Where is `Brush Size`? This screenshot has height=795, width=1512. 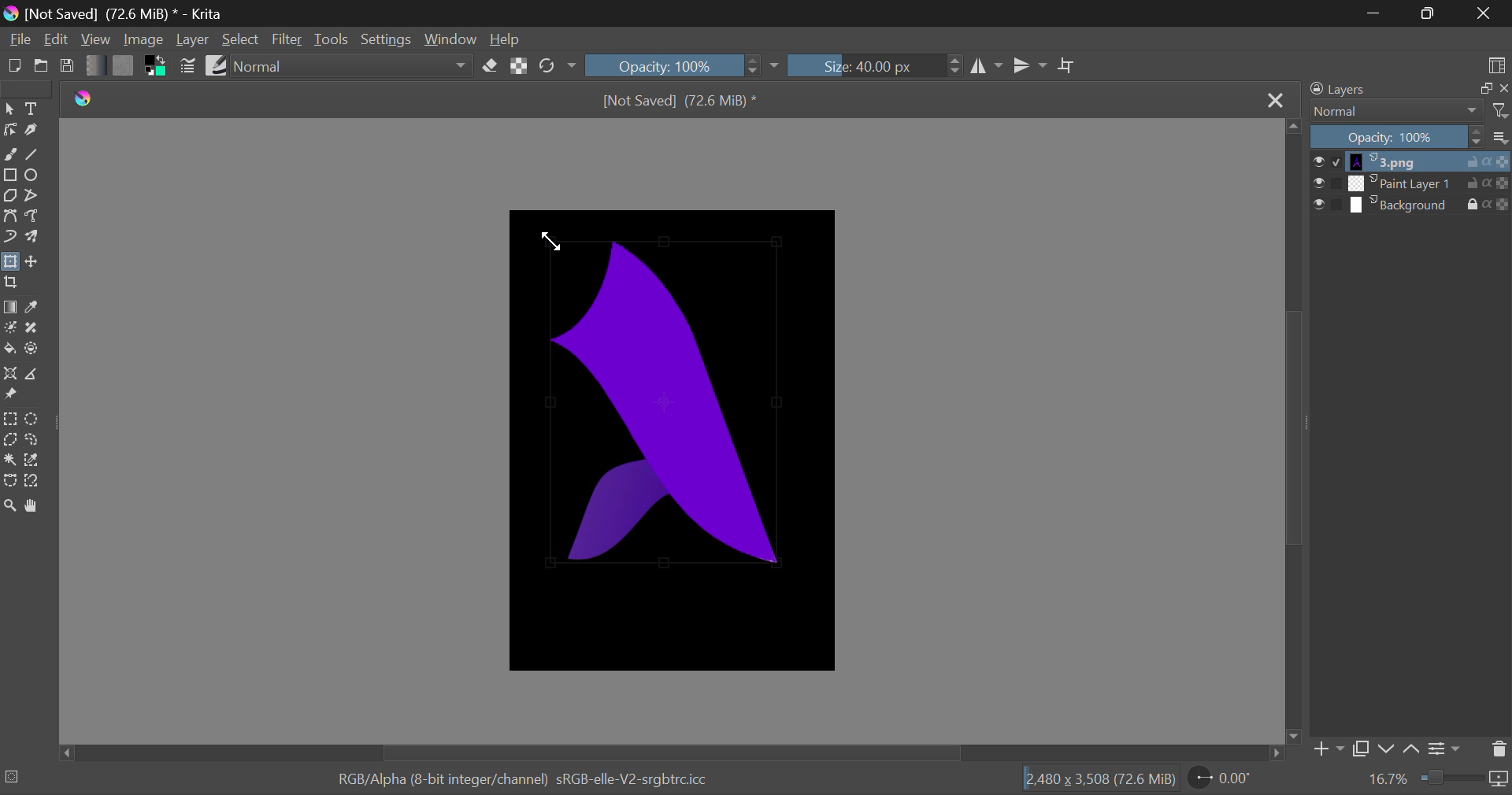 Brush Size is located at coordinates (875, 66).